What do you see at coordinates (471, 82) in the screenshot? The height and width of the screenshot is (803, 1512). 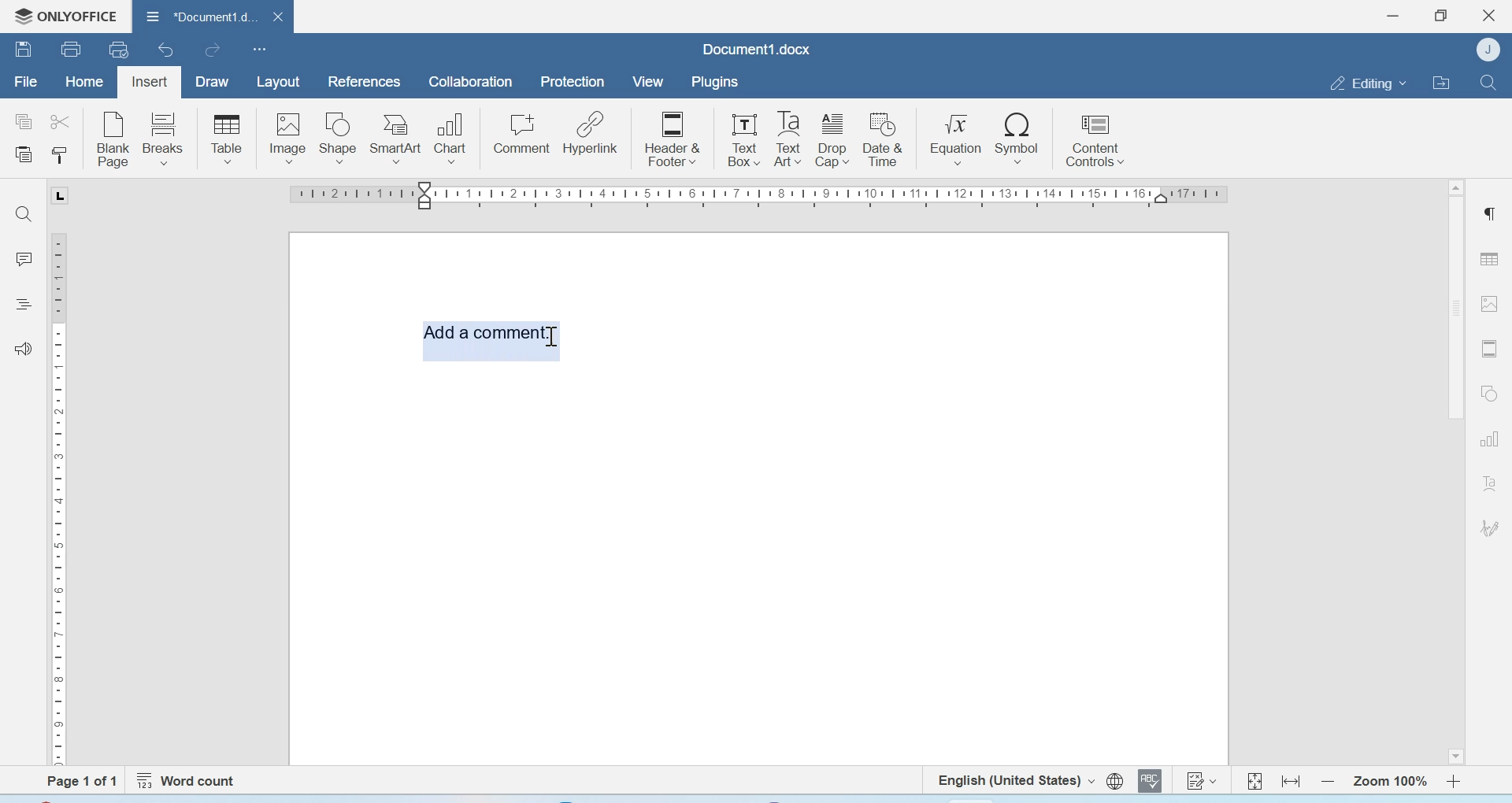 I see `Collaboration` at bounding box center [471, 82].